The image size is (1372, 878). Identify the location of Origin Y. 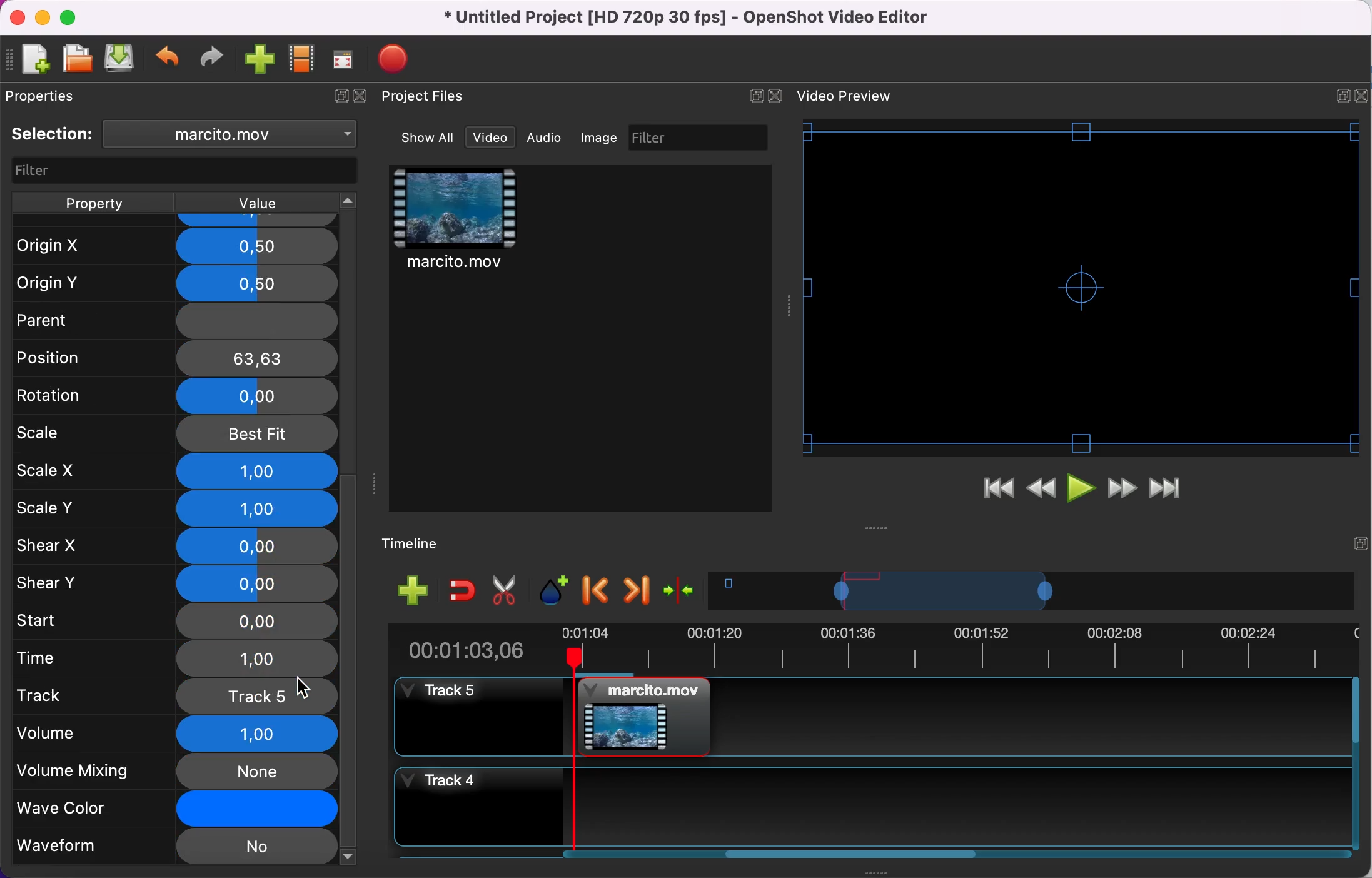
(171, 284).